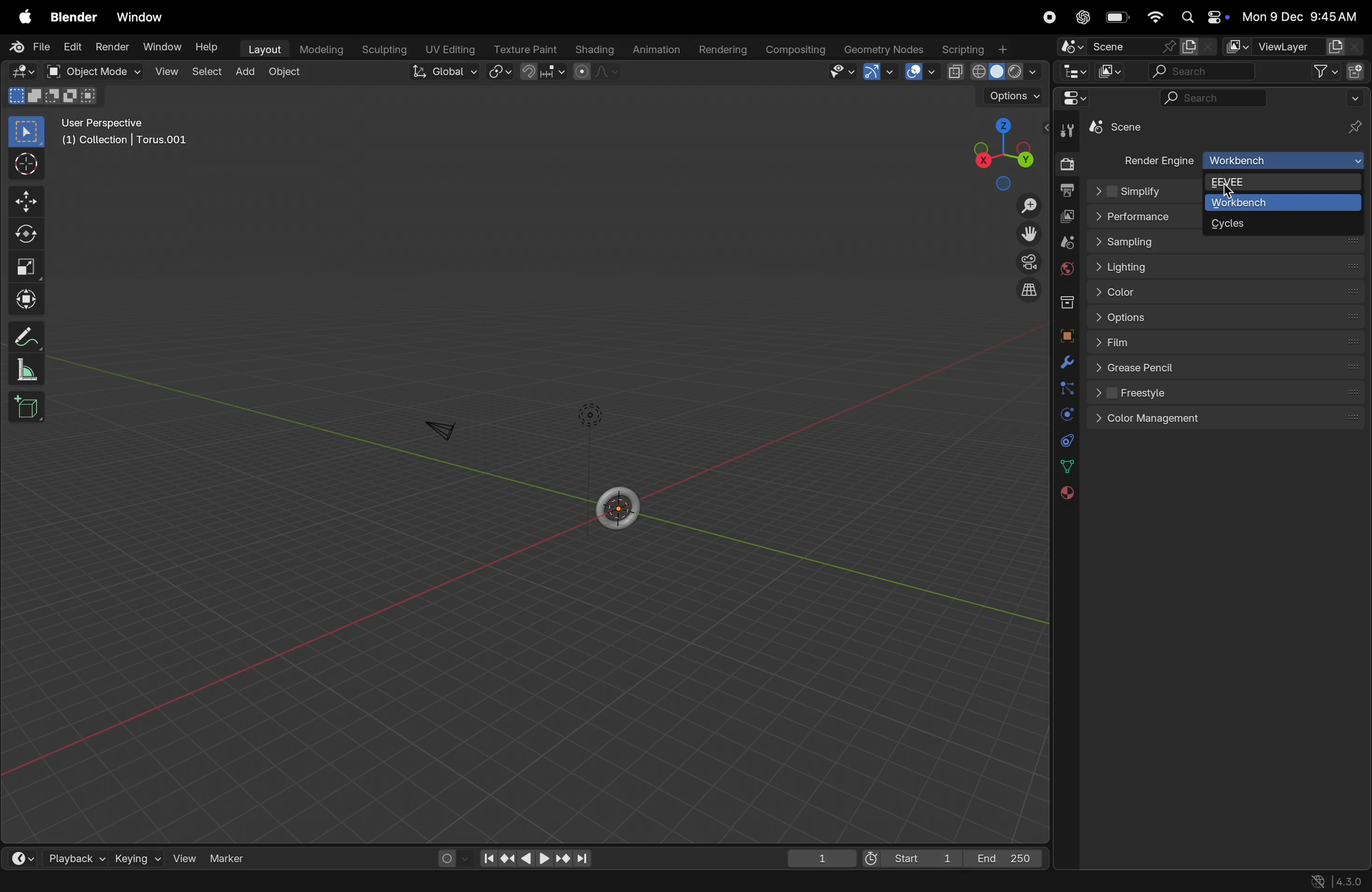 The height and width of the screenshot is (892, 1372). What do you see at coordinates (1282, 183) in the screenshot?
I see `EEVEE` at bounding box center [1282, 183].